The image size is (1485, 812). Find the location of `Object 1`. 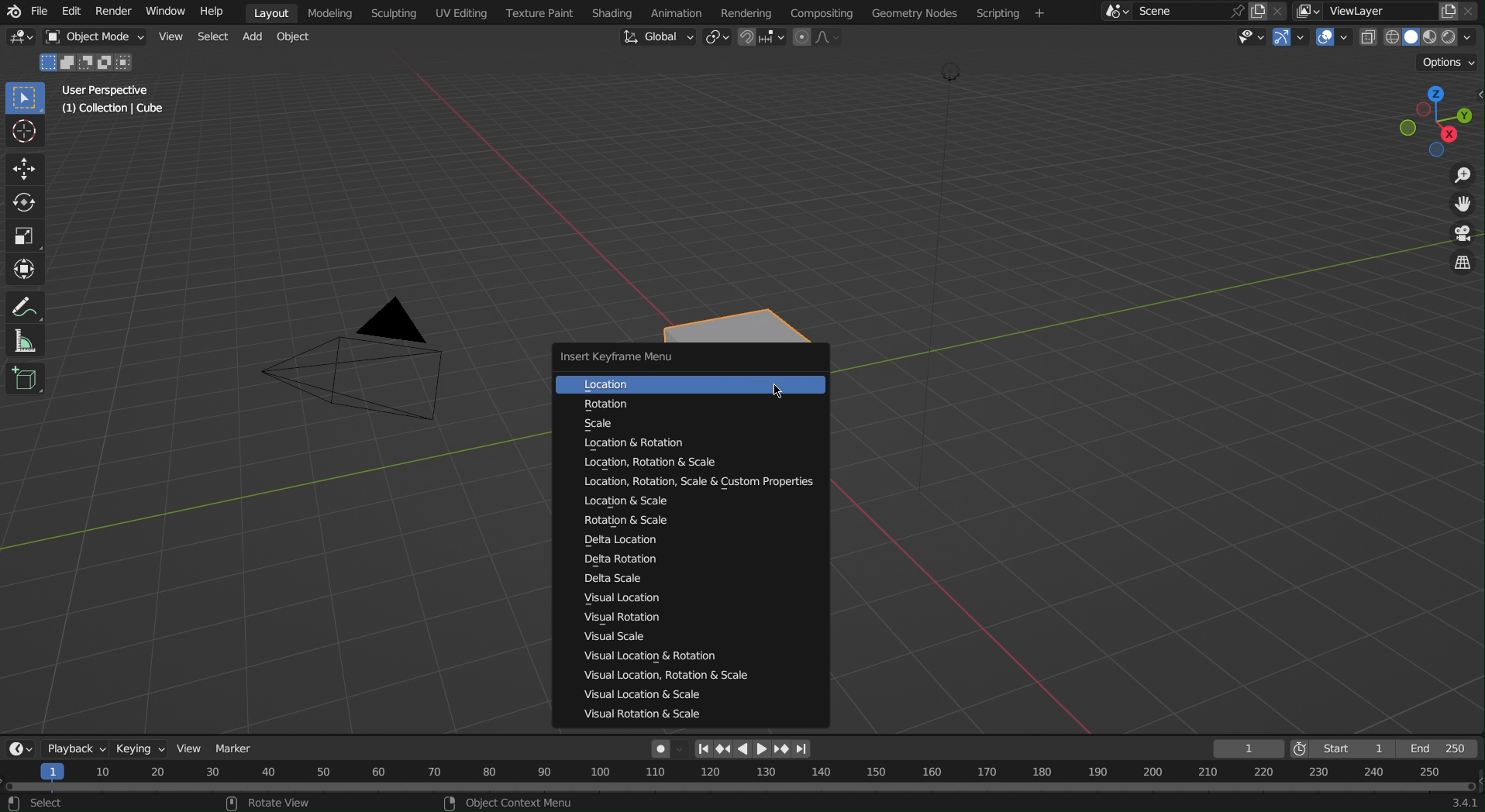

Object 1 is located at coordinates (86, 60).